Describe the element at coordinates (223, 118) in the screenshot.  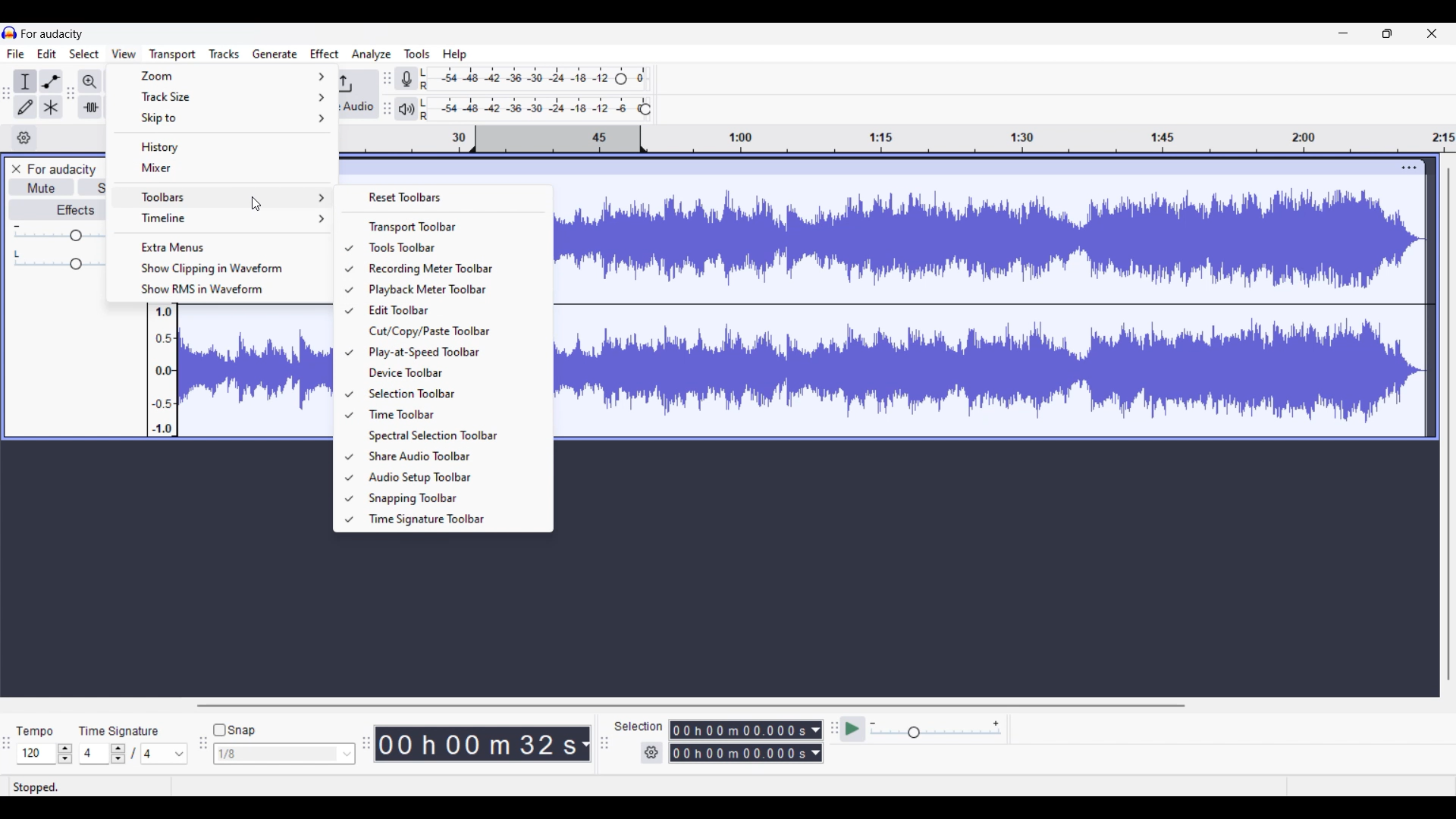
I see `Skip to options` at that location.